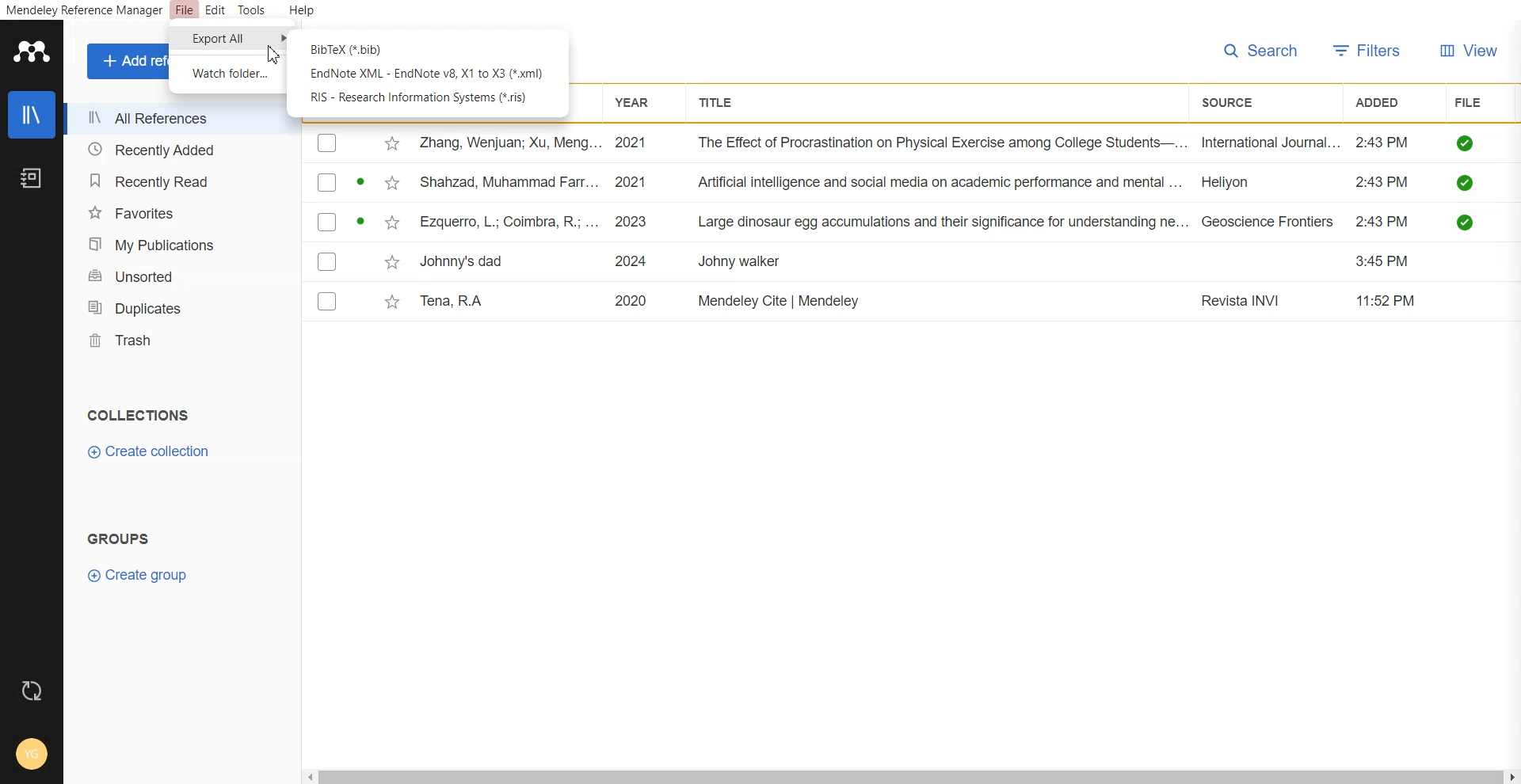 The width and height of the screenshot is (1521, 784). I want to click on 2024, so click(634, 261).